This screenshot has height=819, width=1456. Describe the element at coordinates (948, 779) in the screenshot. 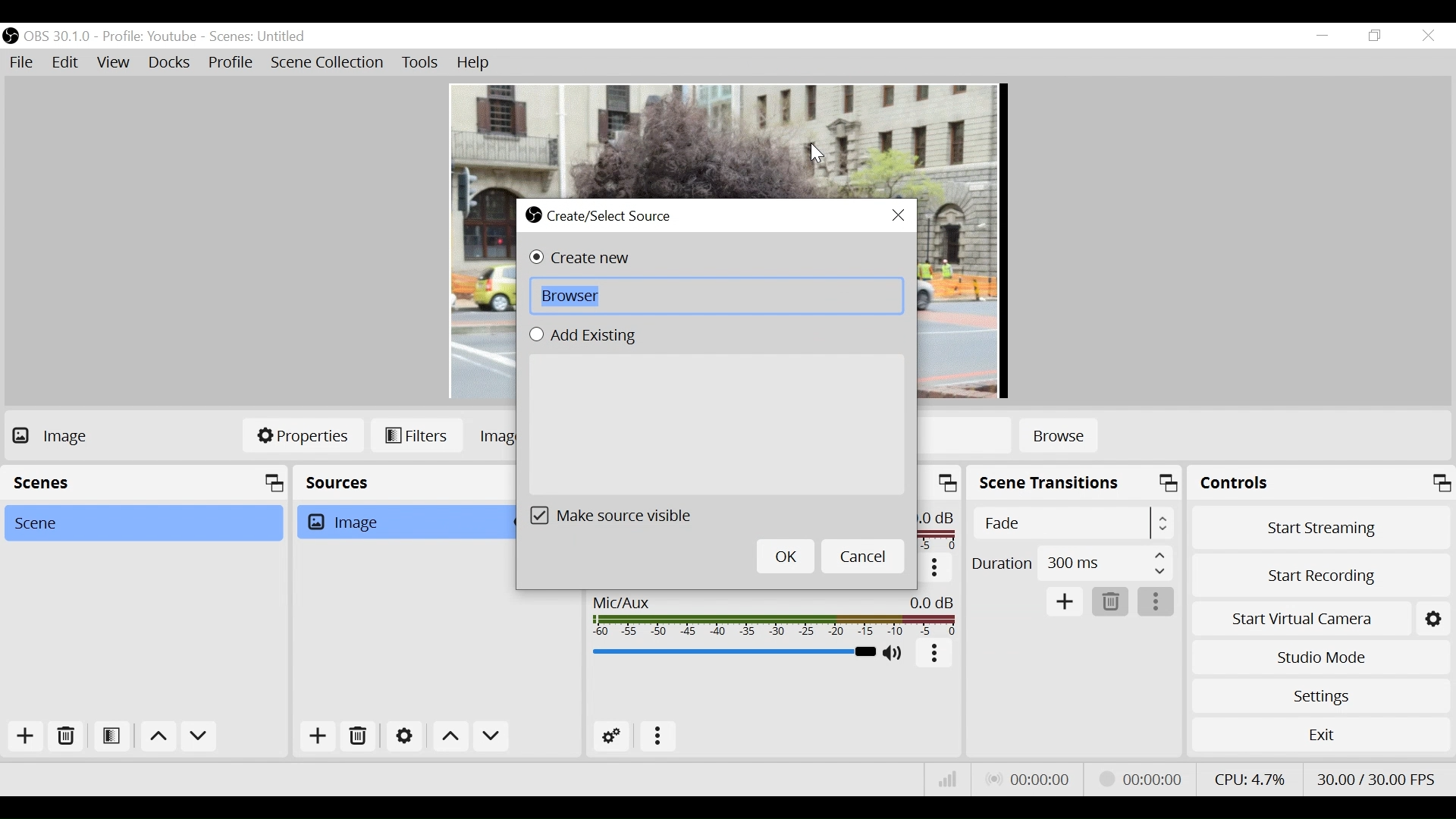

I see `Bitrate` at that location.